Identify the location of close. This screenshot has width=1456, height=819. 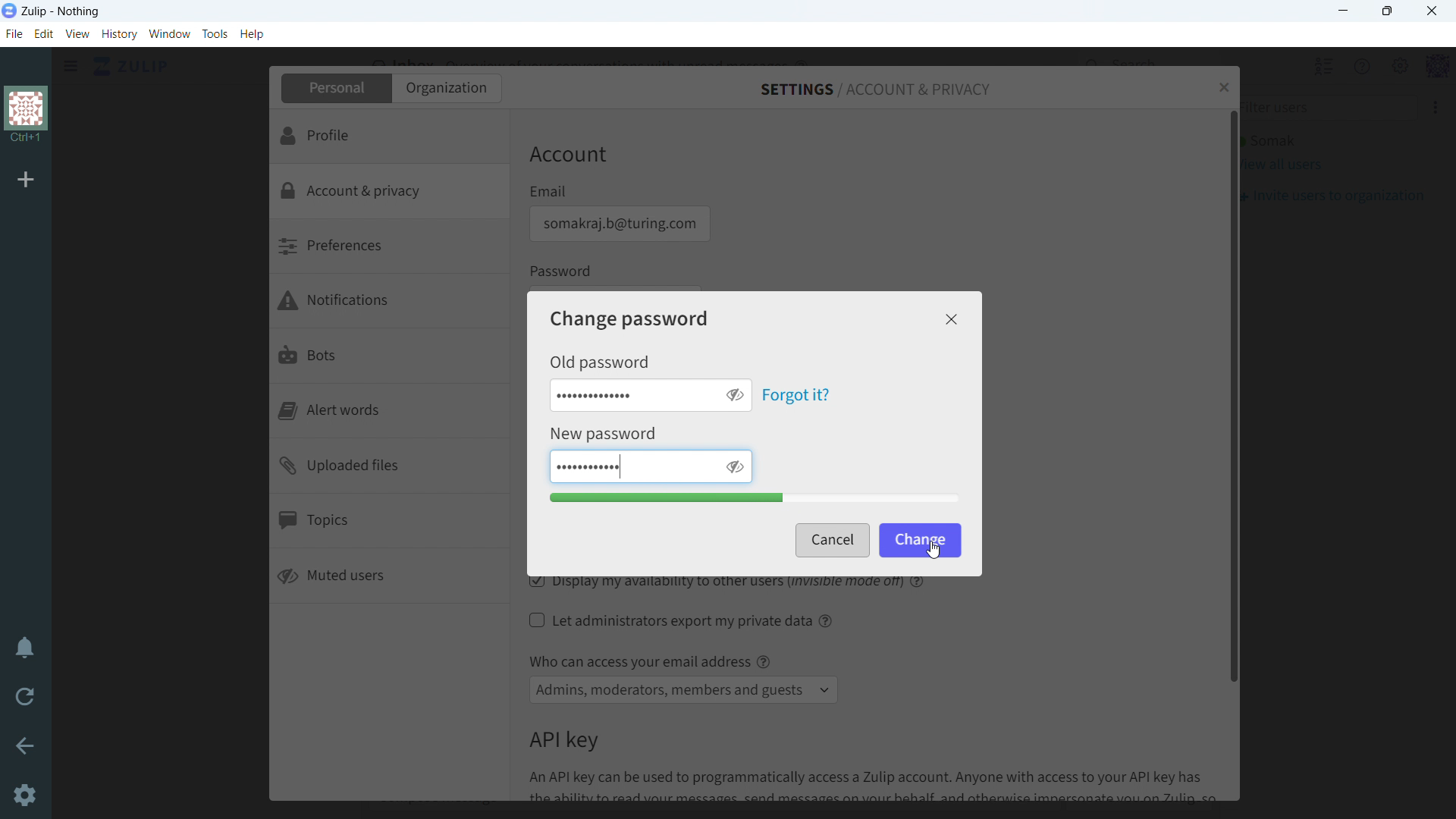
(952, 319).